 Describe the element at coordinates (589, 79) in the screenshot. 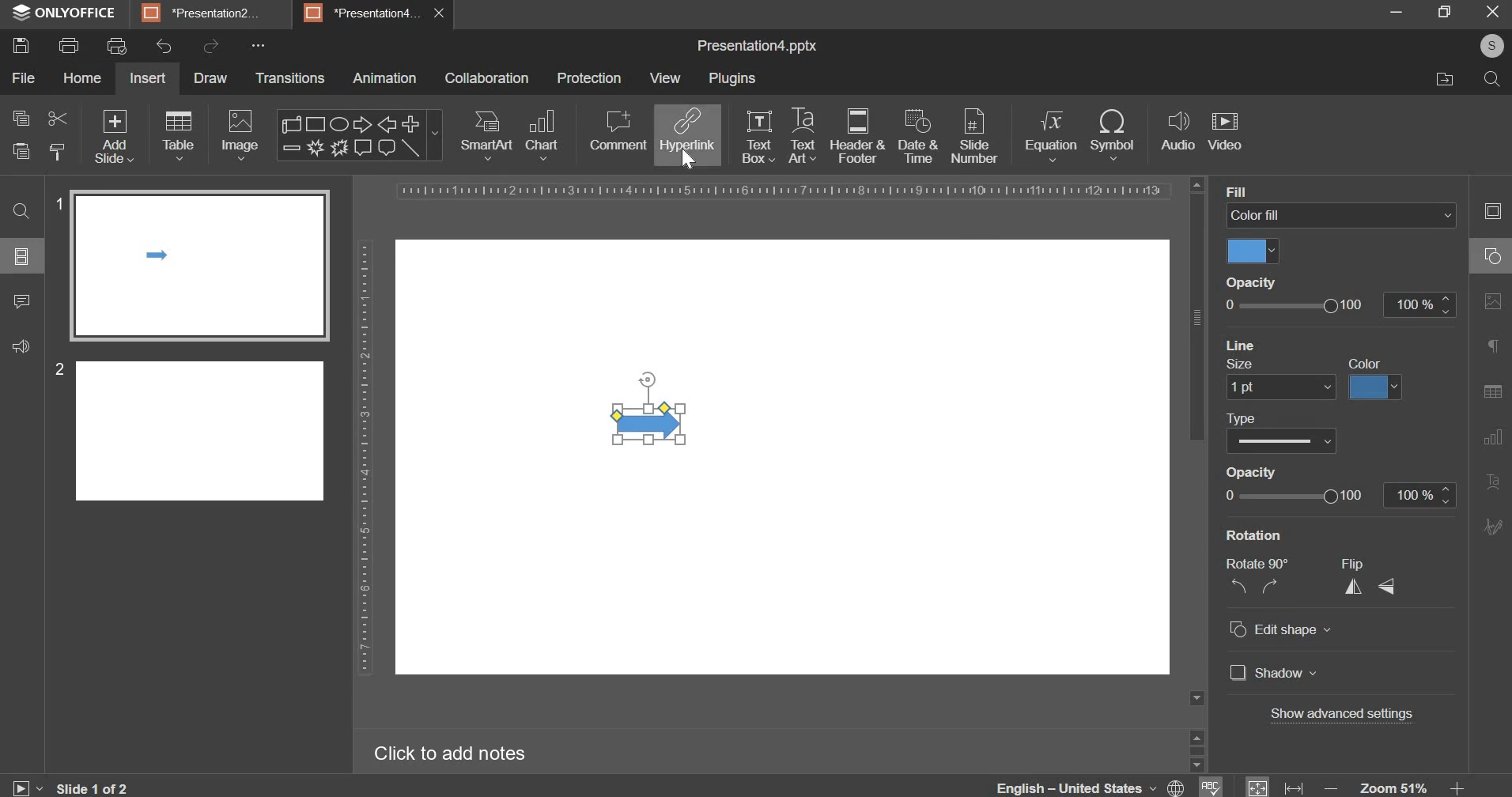

I see `protection` at that location.